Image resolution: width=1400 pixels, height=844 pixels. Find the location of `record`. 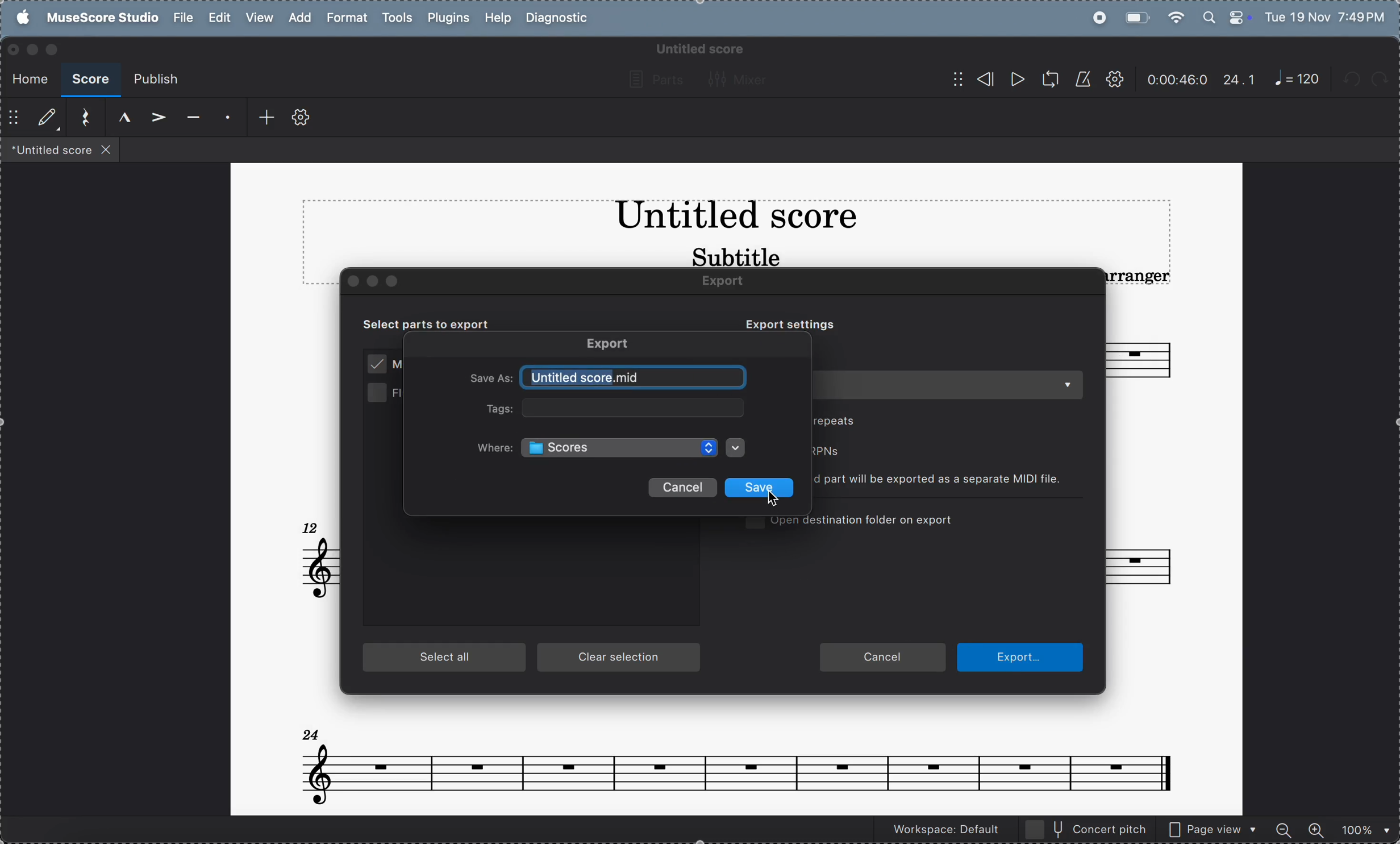

record is located at coordinates (1096, 18).